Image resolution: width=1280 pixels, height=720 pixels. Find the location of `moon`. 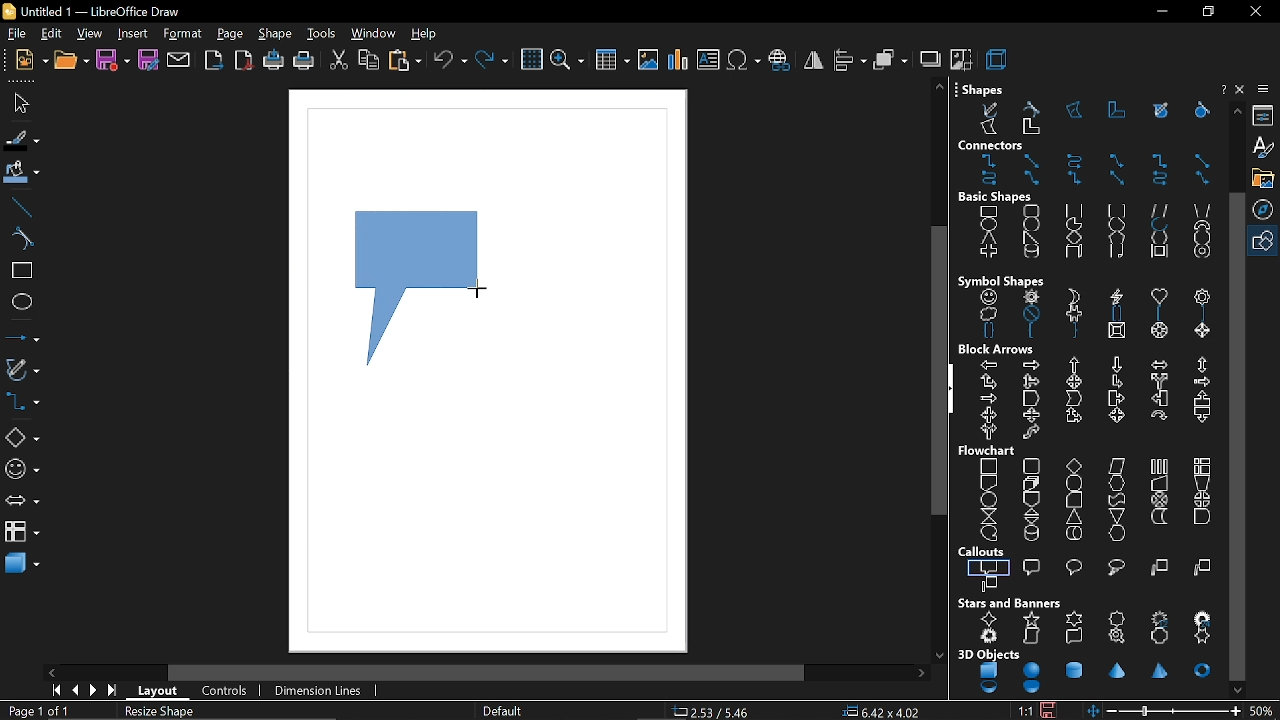

moon is located at coordinates (1071, 294).